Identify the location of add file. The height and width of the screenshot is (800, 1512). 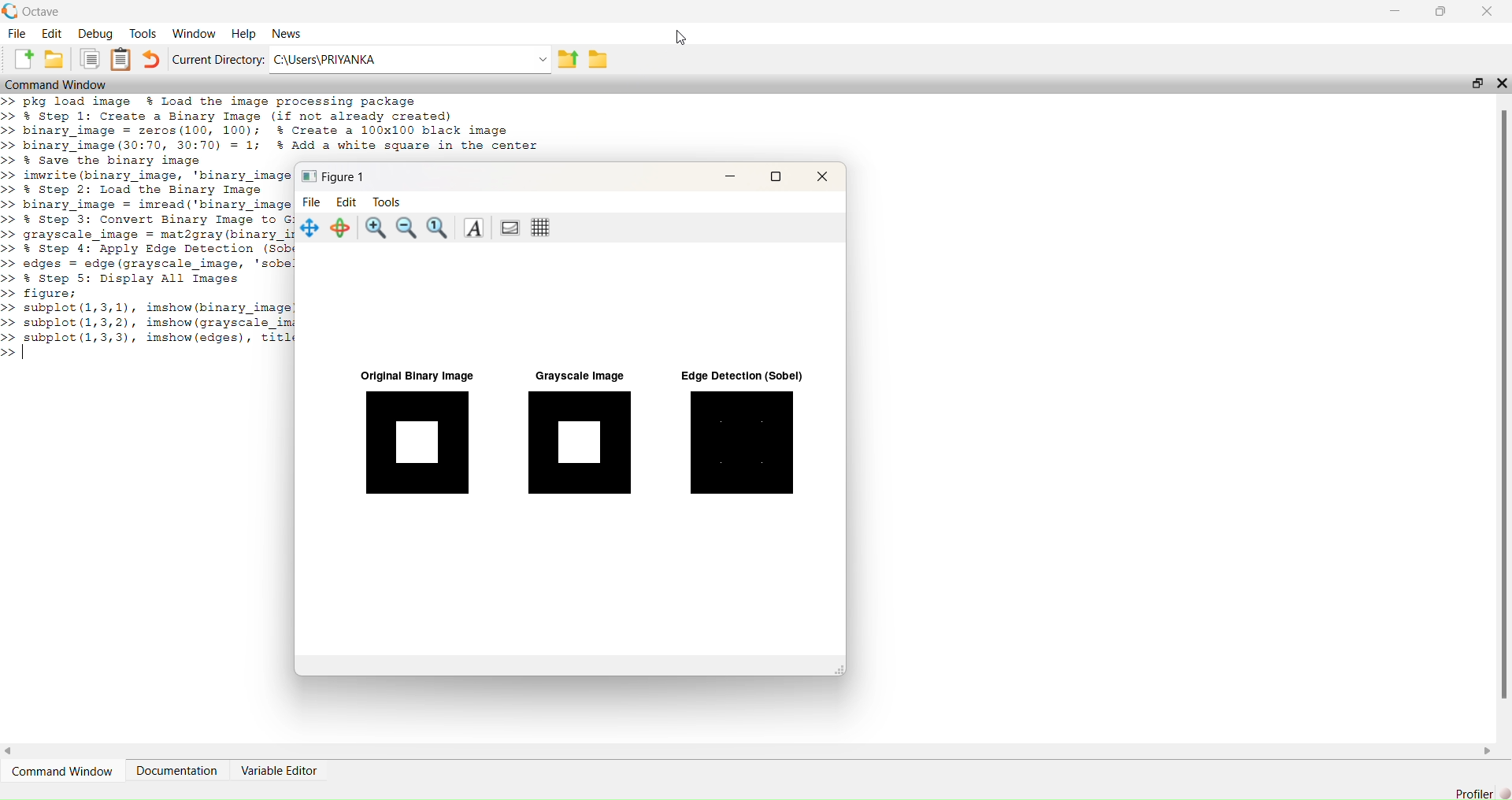
(24, 59).